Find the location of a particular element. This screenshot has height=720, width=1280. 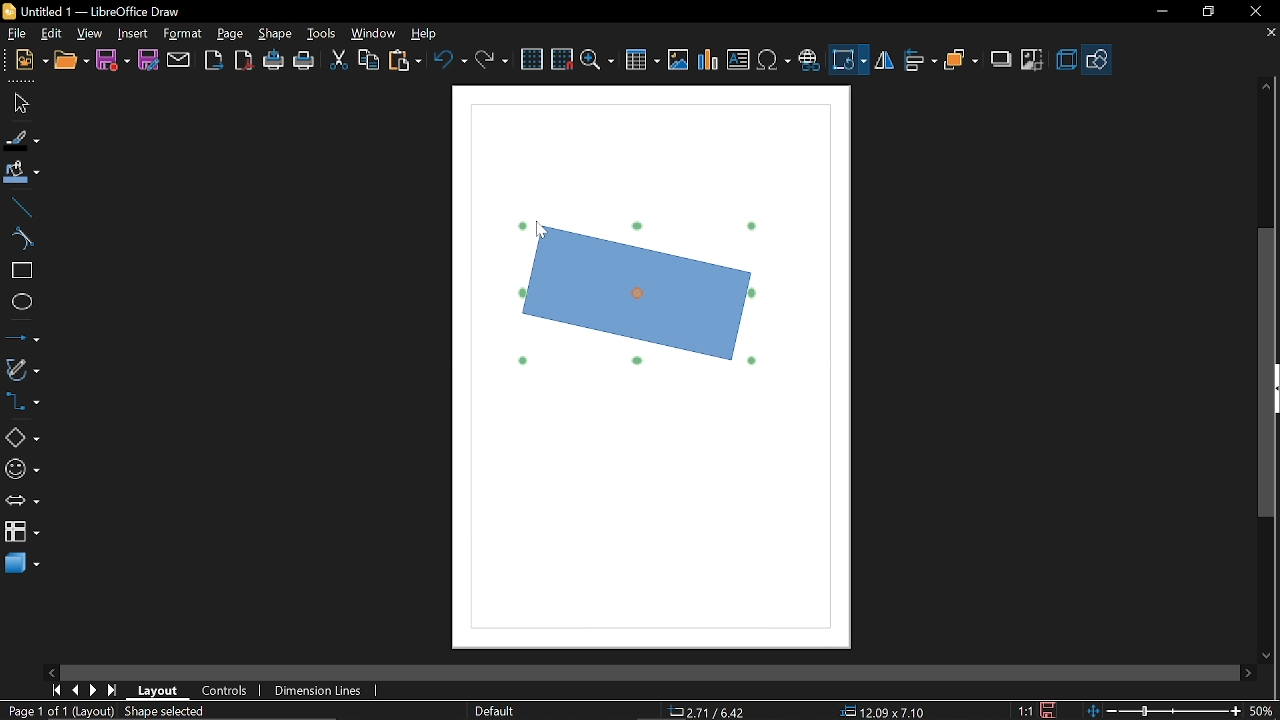

print is located at coordinates (305, 62).